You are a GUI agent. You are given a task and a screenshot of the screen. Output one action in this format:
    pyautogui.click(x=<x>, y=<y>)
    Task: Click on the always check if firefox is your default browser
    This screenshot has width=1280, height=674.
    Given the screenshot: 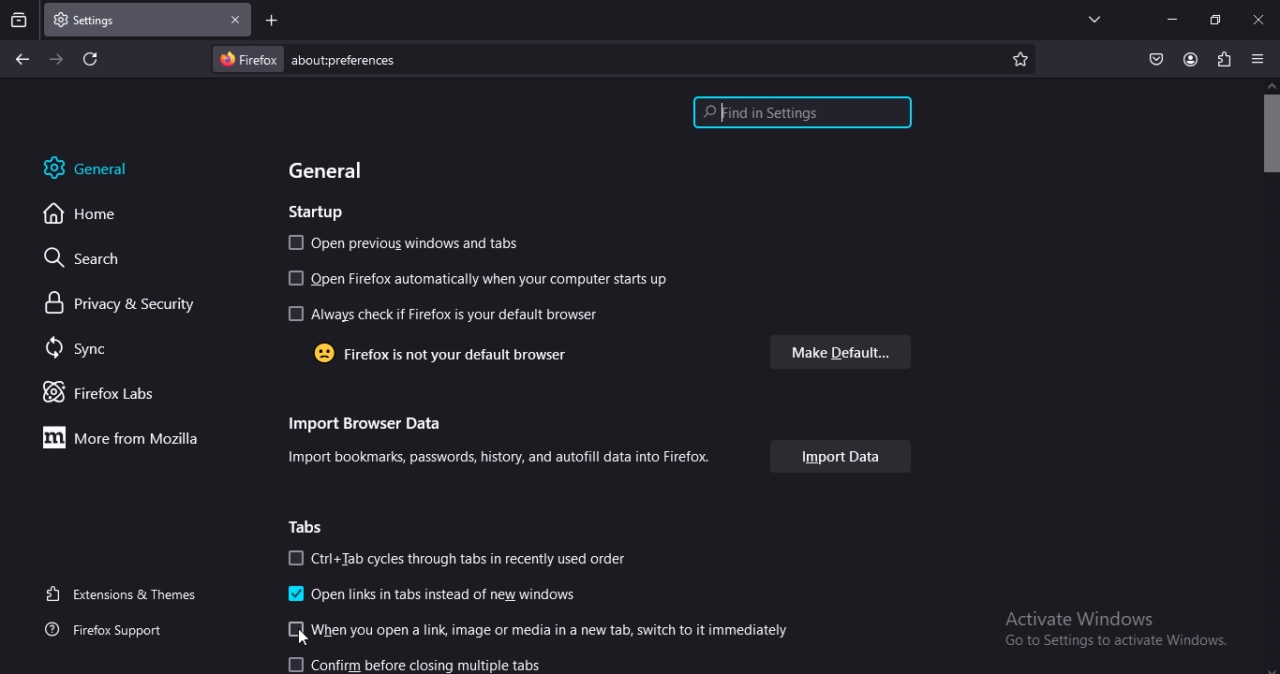 What is the action you would take?
    pyautogui.click(x=448, y=314)
    